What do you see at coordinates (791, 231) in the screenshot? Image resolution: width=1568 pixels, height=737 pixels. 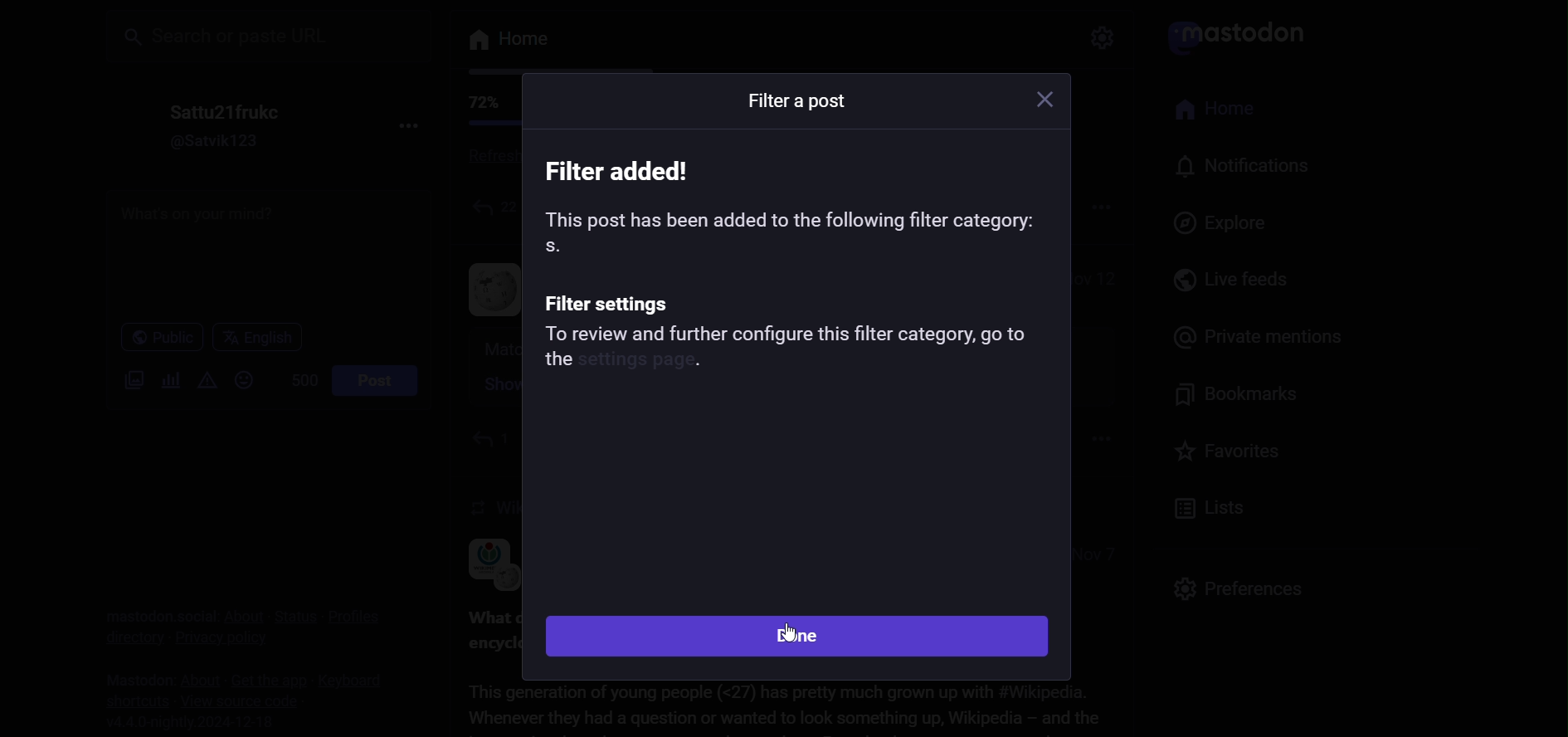 I see `This post has been added to the following filter category:
S` at bounding box center [791, 231].